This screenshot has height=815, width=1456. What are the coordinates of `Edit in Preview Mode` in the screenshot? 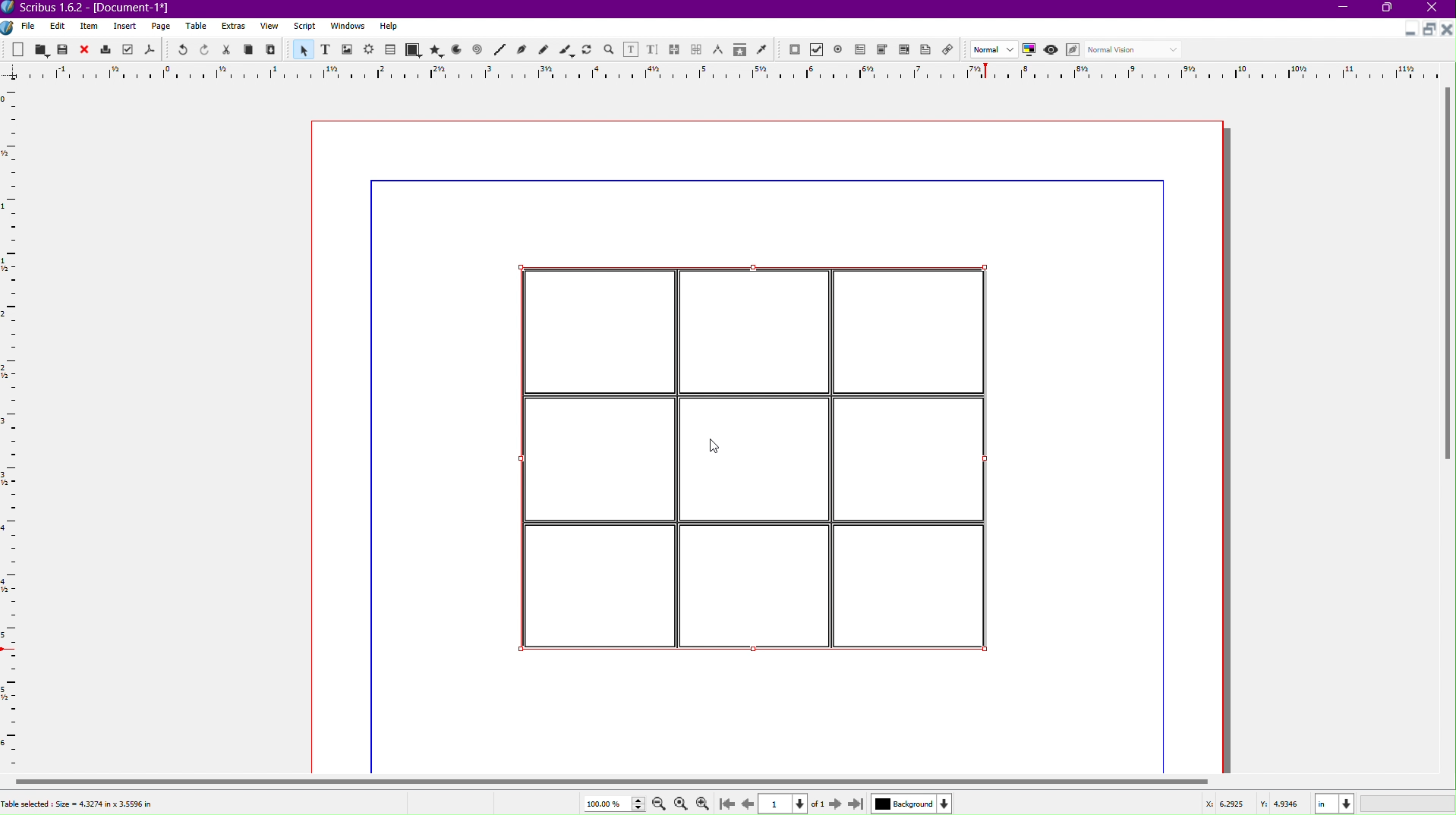 It's located at (1075, 50).